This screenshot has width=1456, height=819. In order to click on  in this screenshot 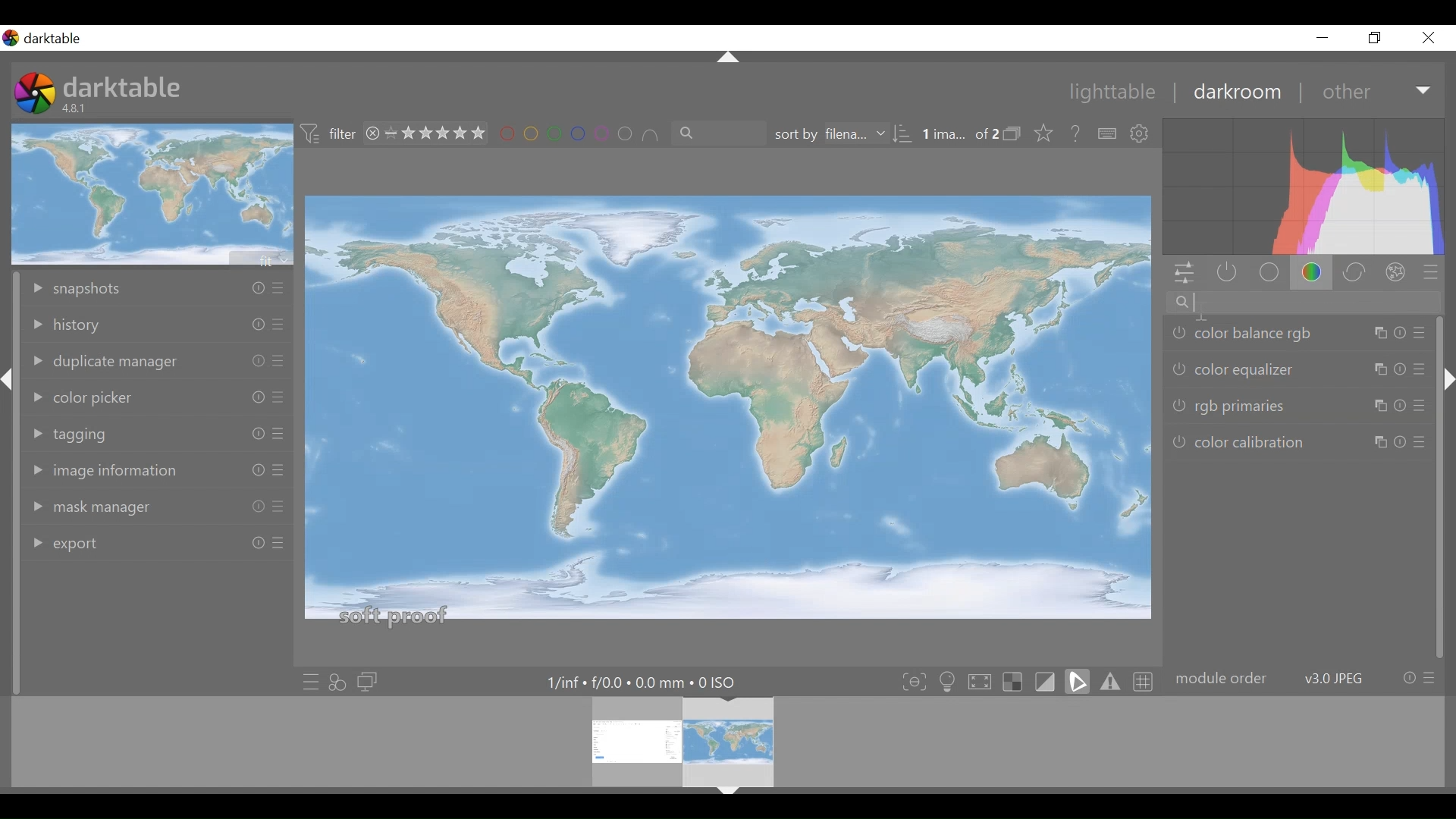, I will do `click(254, 360)`.